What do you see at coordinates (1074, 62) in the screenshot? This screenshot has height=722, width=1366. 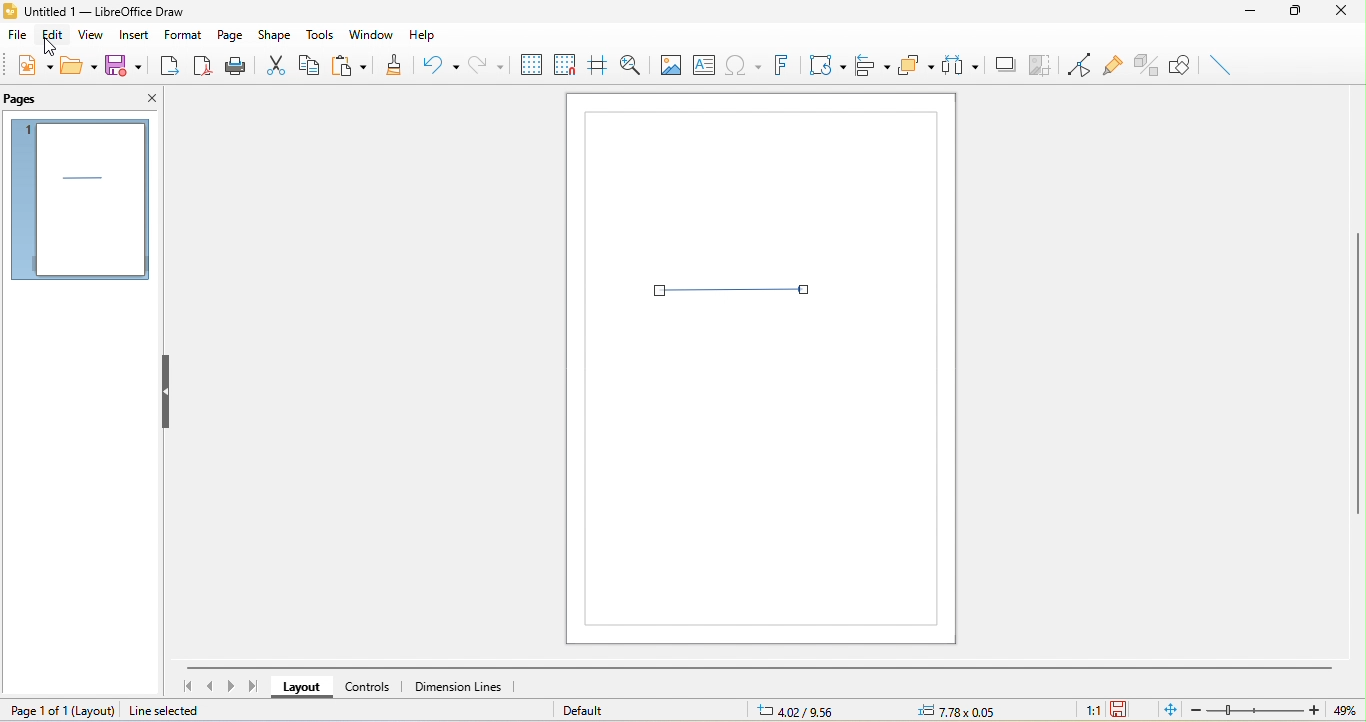 I see `toggle point edit mode` at bounding box center [1074, 62].